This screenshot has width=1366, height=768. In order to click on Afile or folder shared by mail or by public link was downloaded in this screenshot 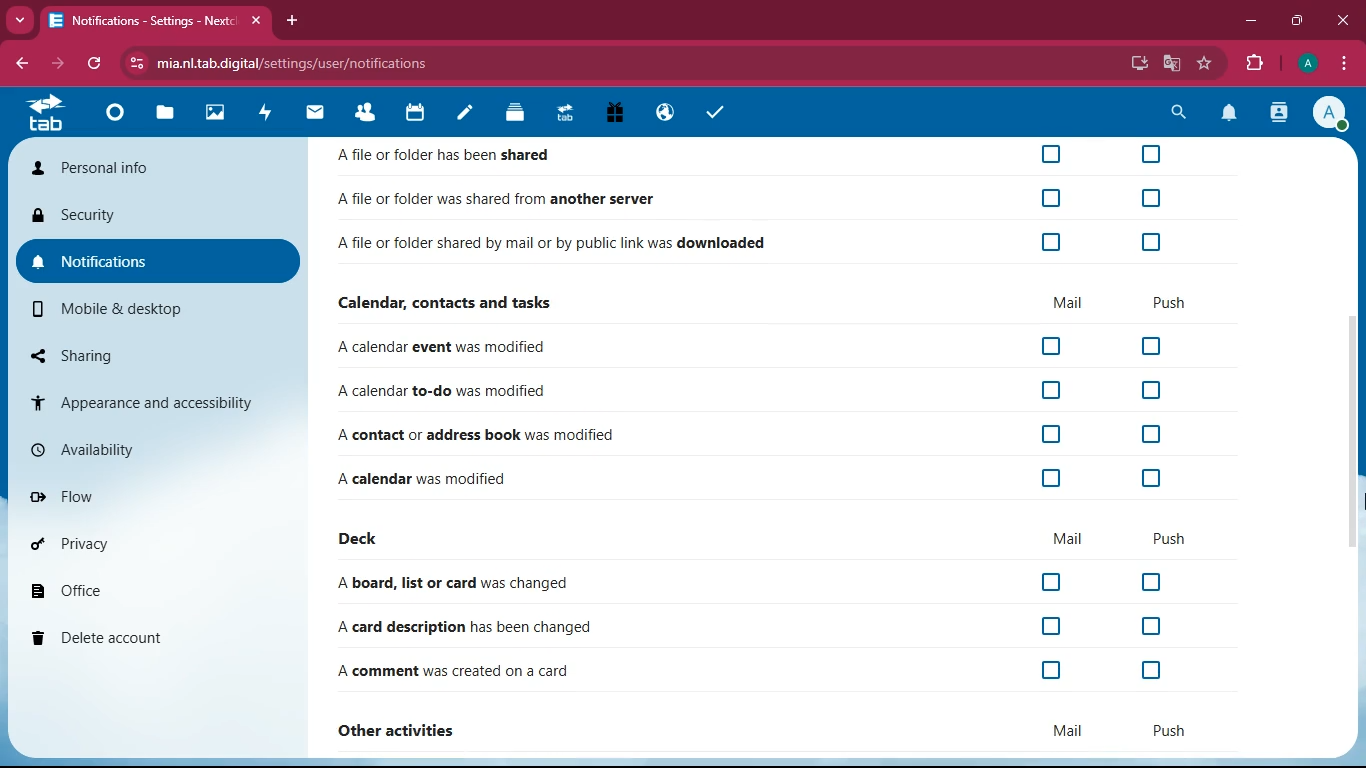, I will do `click(552, 245)`.